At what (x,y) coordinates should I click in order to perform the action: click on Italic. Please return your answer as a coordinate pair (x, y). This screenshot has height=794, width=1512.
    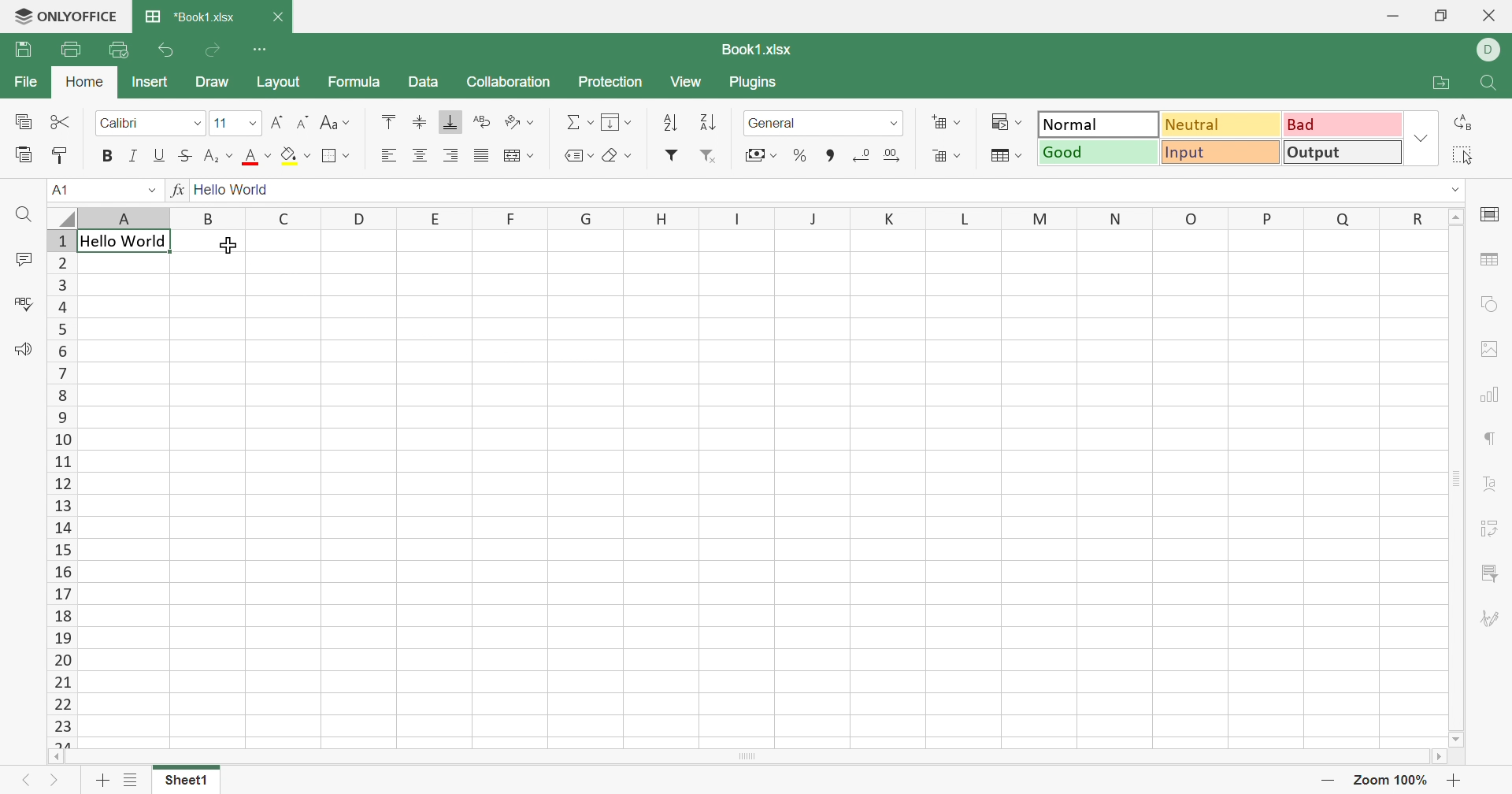
    Looking at the image, I should click on (133, 155).